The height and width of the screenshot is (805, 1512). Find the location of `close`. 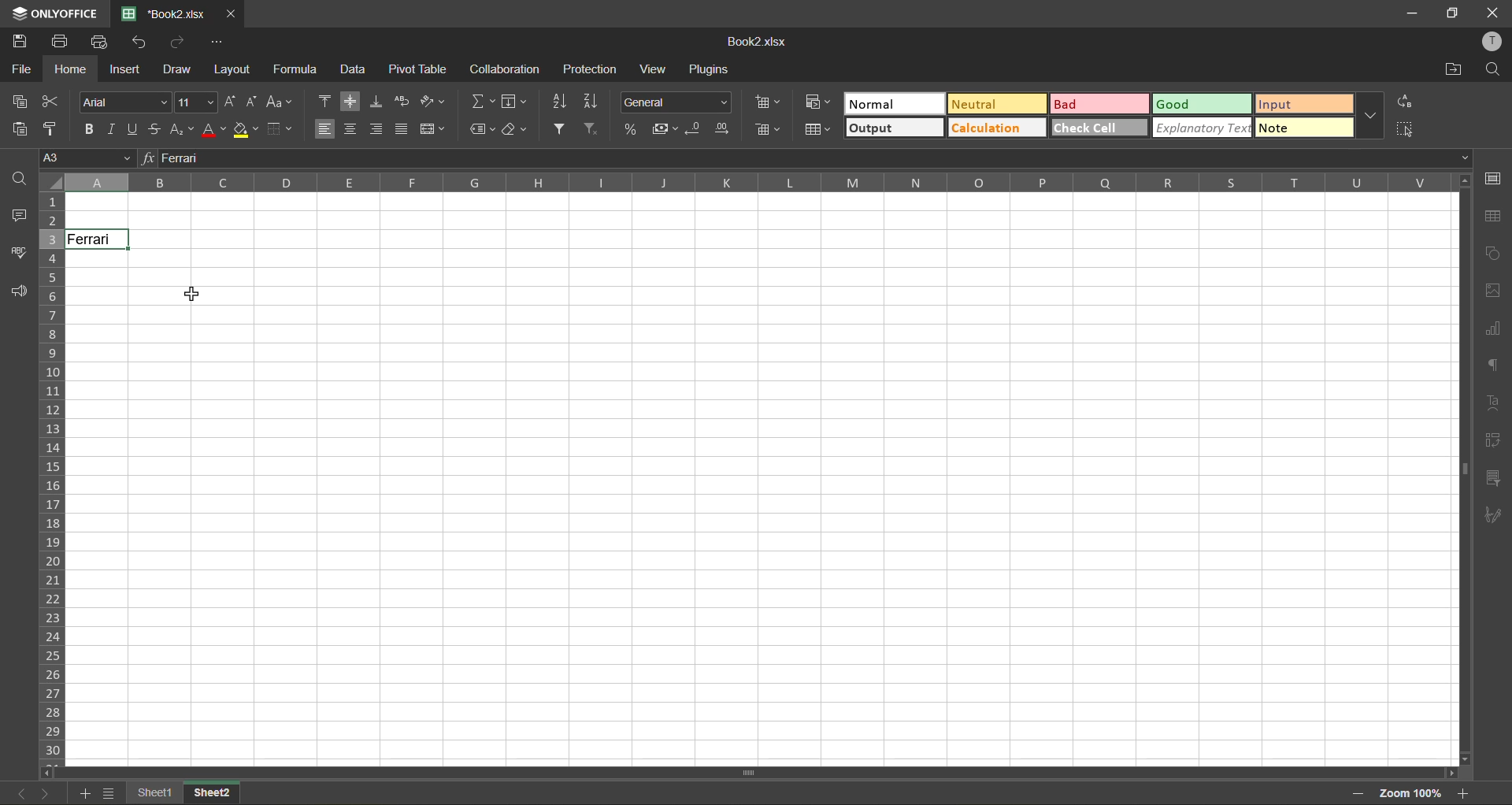

close is located at coordinates (1493, 12).